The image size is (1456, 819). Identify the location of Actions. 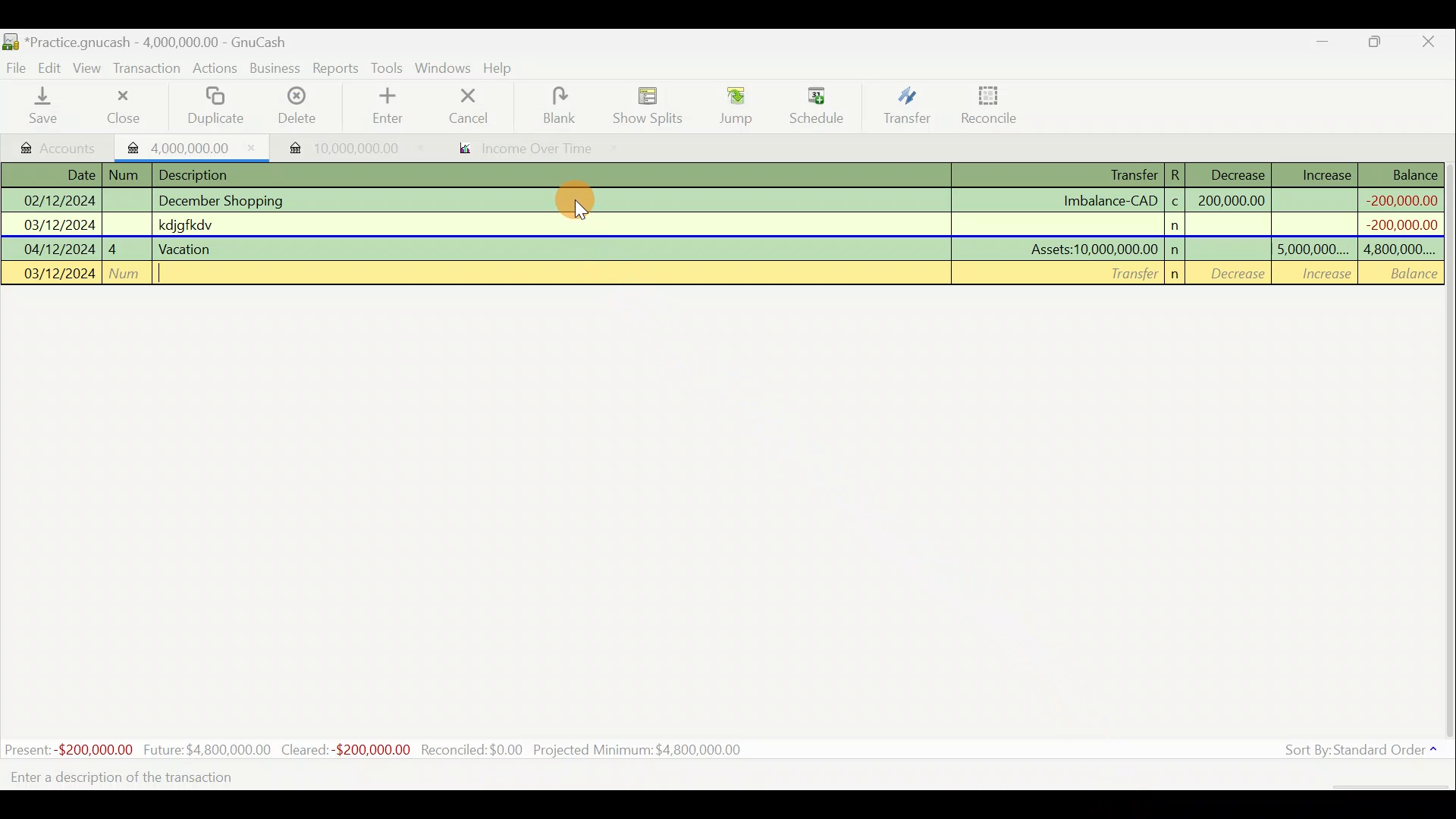
(215, 71).